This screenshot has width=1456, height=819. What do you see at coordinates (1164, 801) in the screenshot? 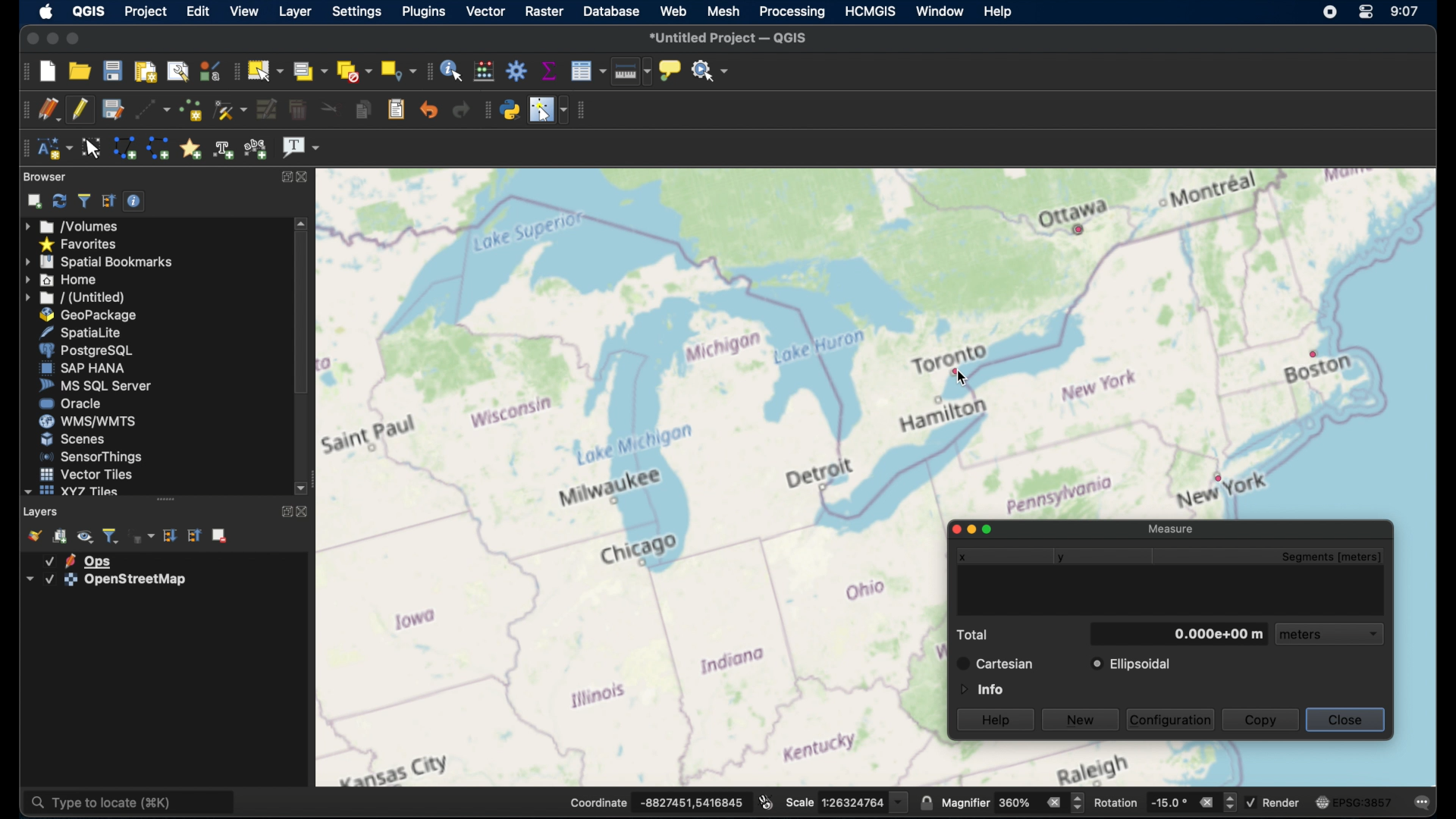
I see `rotation` at bounding box center [1164, 801].